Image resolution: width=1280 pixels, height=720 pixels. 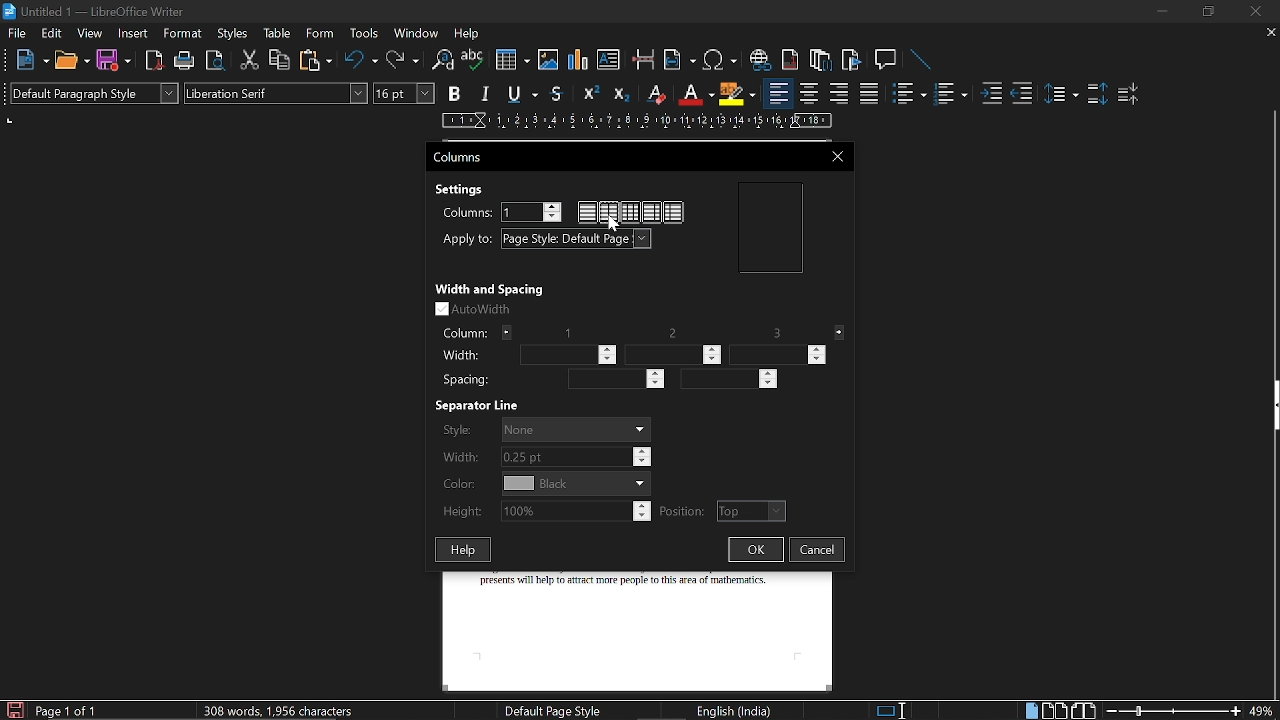 What do you see at coordinates (561, 94) in the screenshot?
I see `Strikethrough` at bounding box center [561, 94].